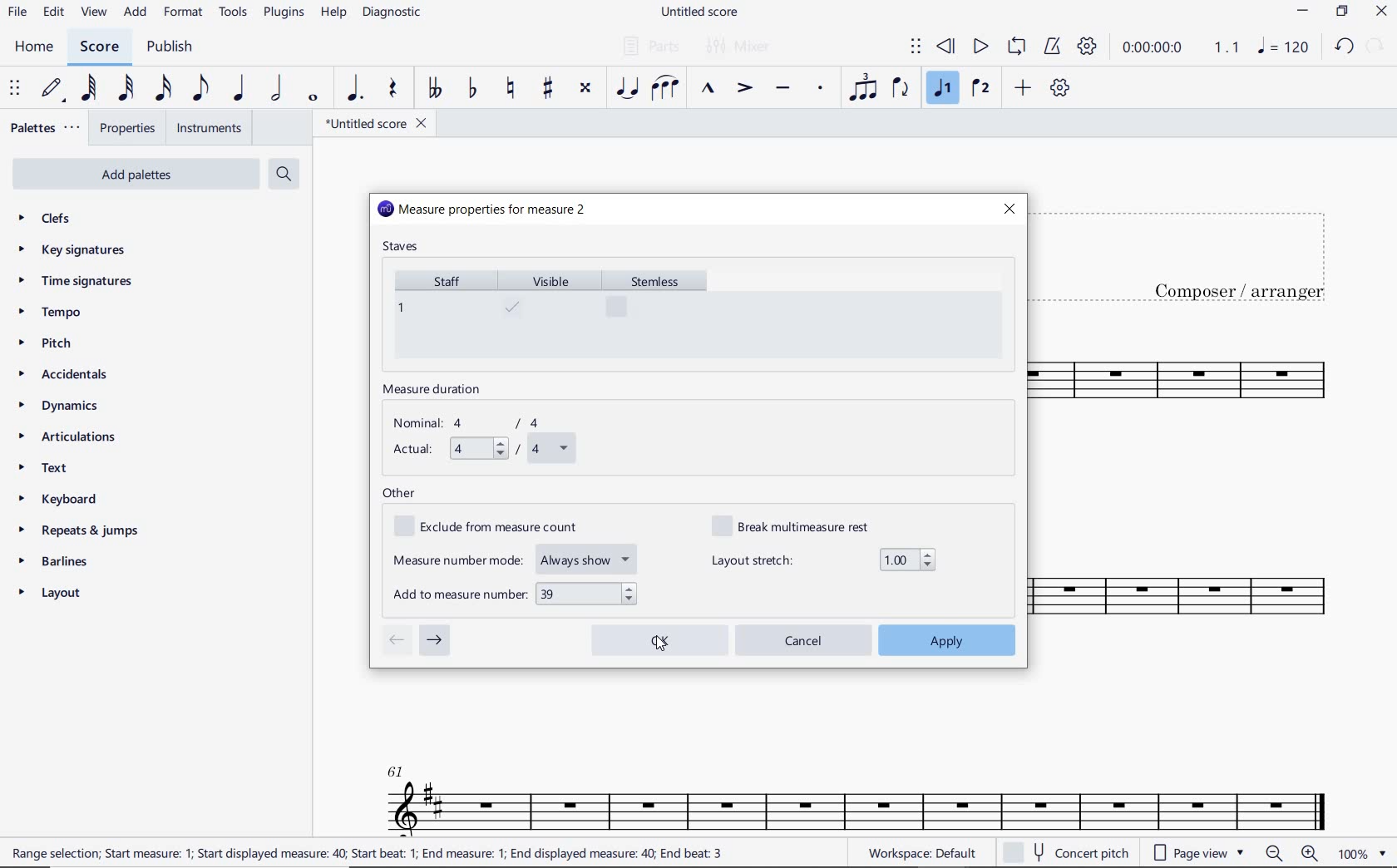 Image resolution: width=1397 pixels, height=868 pixels. Describe the element at coordinates (94, 13) in the screenshot. I see `VIEW` at that location.